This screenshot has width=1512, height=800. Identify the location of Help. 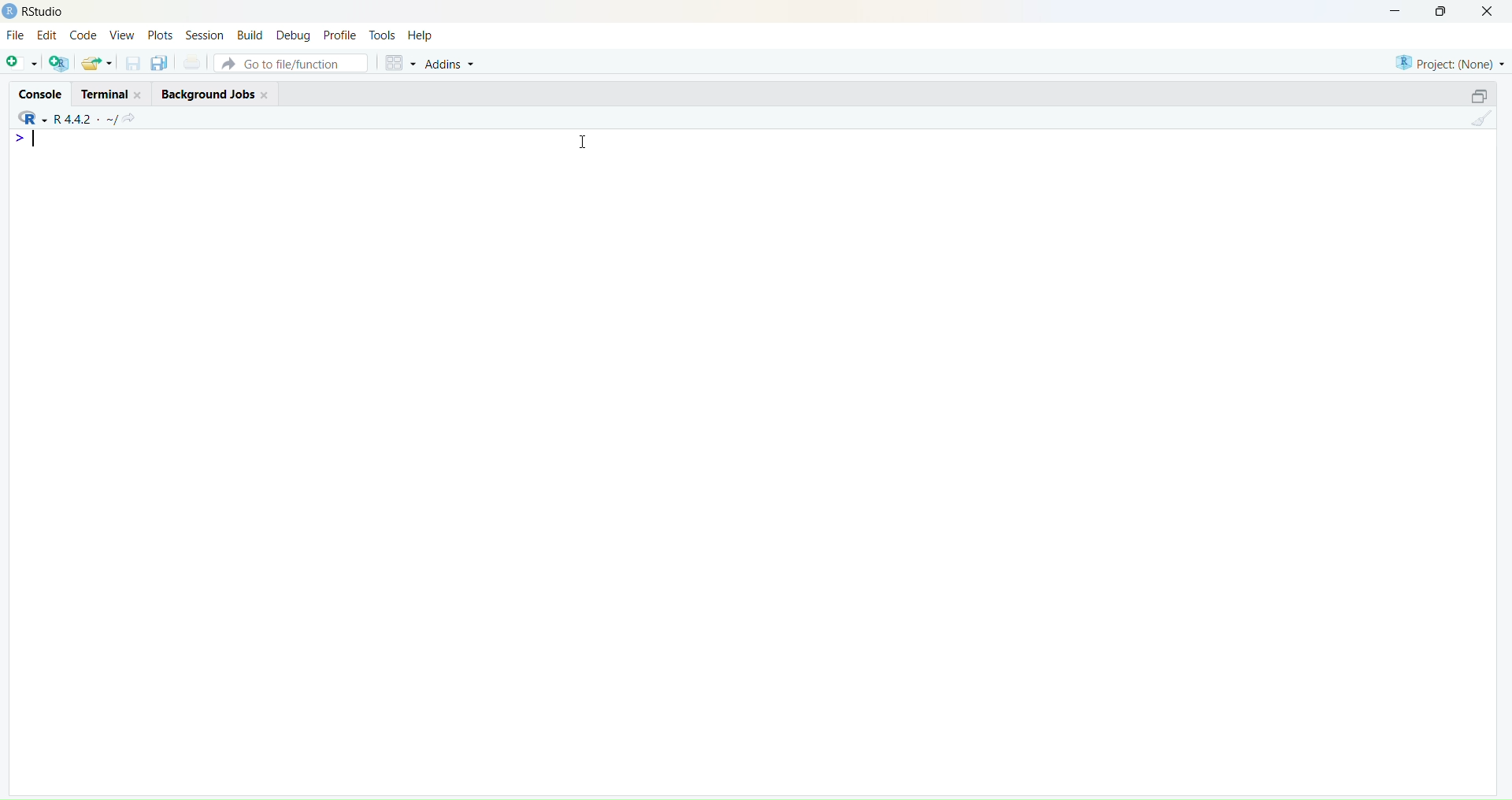
(421, 35).